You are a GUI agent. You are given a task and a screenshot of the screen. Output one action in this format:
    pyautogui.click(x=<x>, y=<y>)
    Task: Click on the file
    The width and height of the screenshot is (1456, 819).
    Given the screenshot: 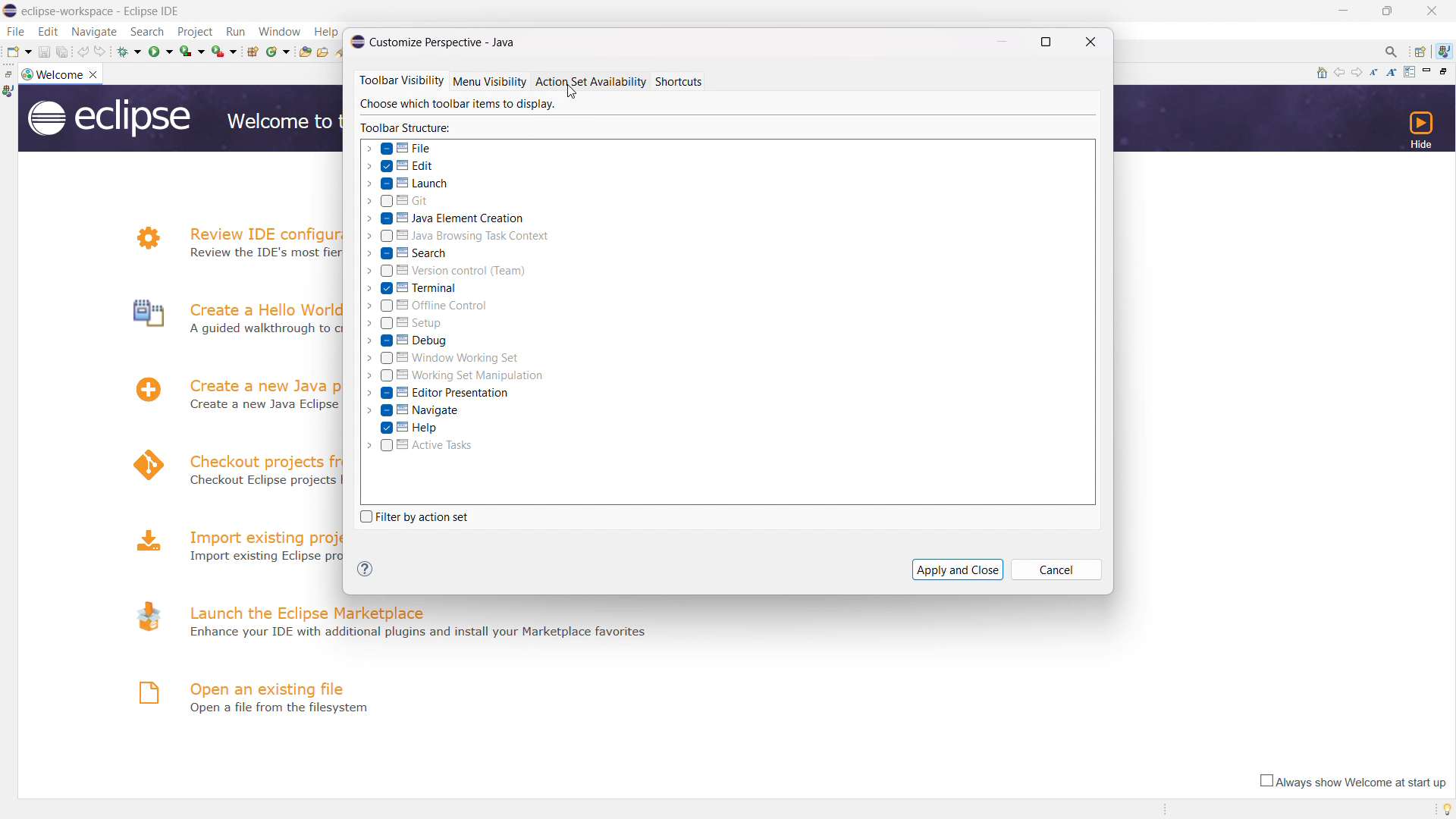 What is the action you would take?
    pyautogui.click(x=399, y=147)
    